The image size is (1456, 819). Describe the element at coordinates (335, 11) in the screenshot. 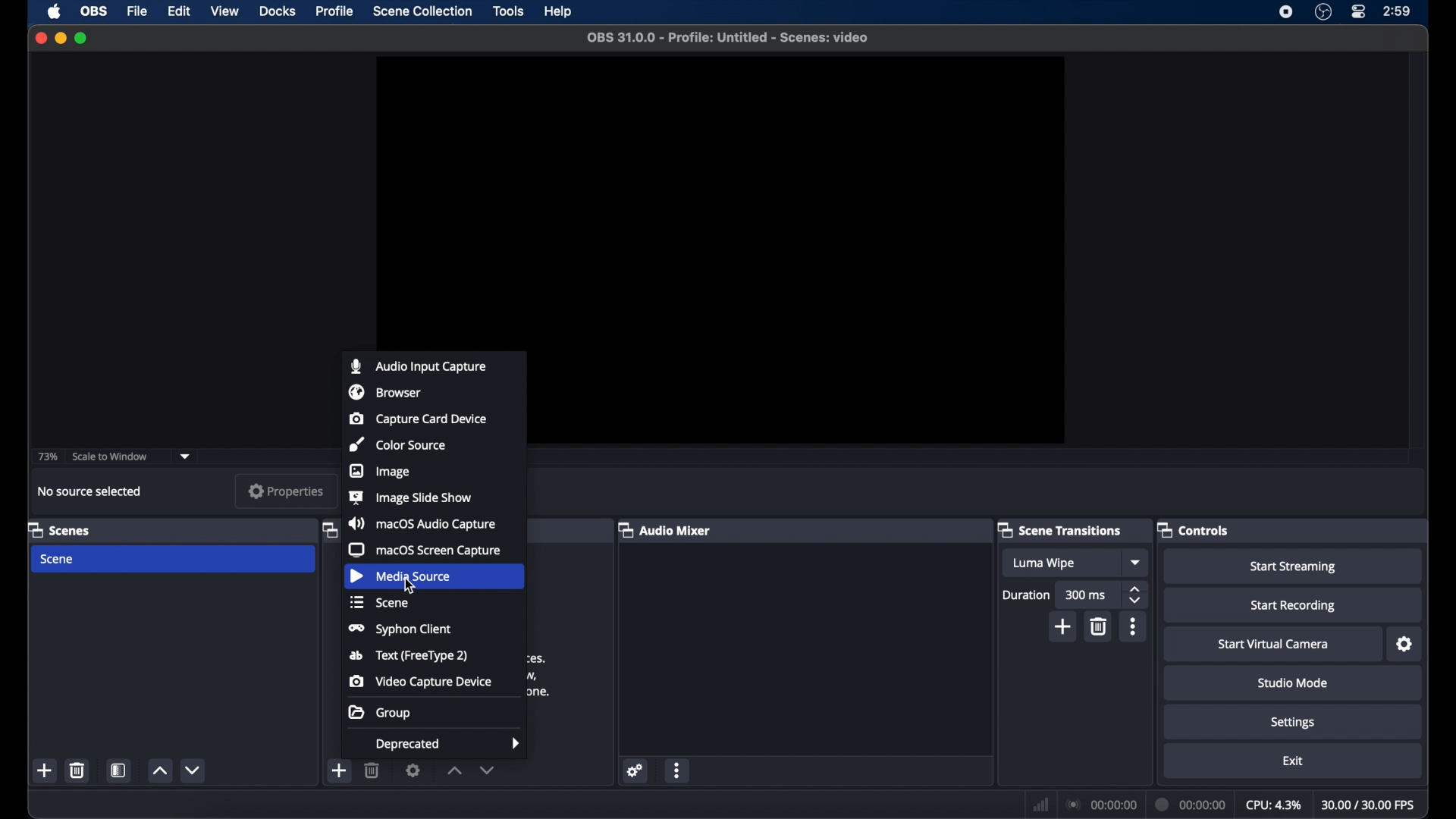

I see `profile` at that location.